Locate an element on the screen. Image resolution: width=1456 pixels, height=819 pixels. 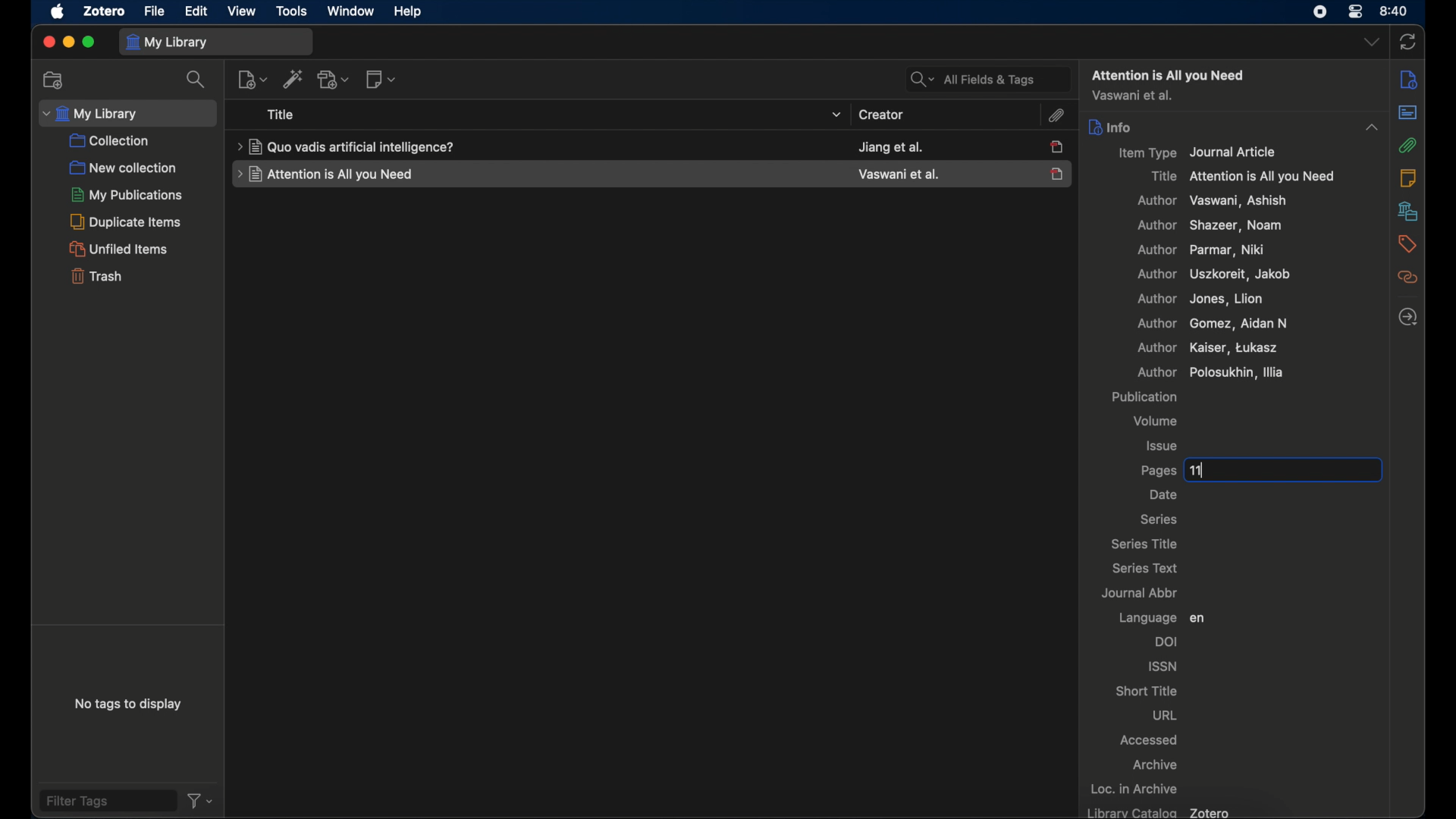
author polosukhin, illia is located at coordinates (1169, 372).